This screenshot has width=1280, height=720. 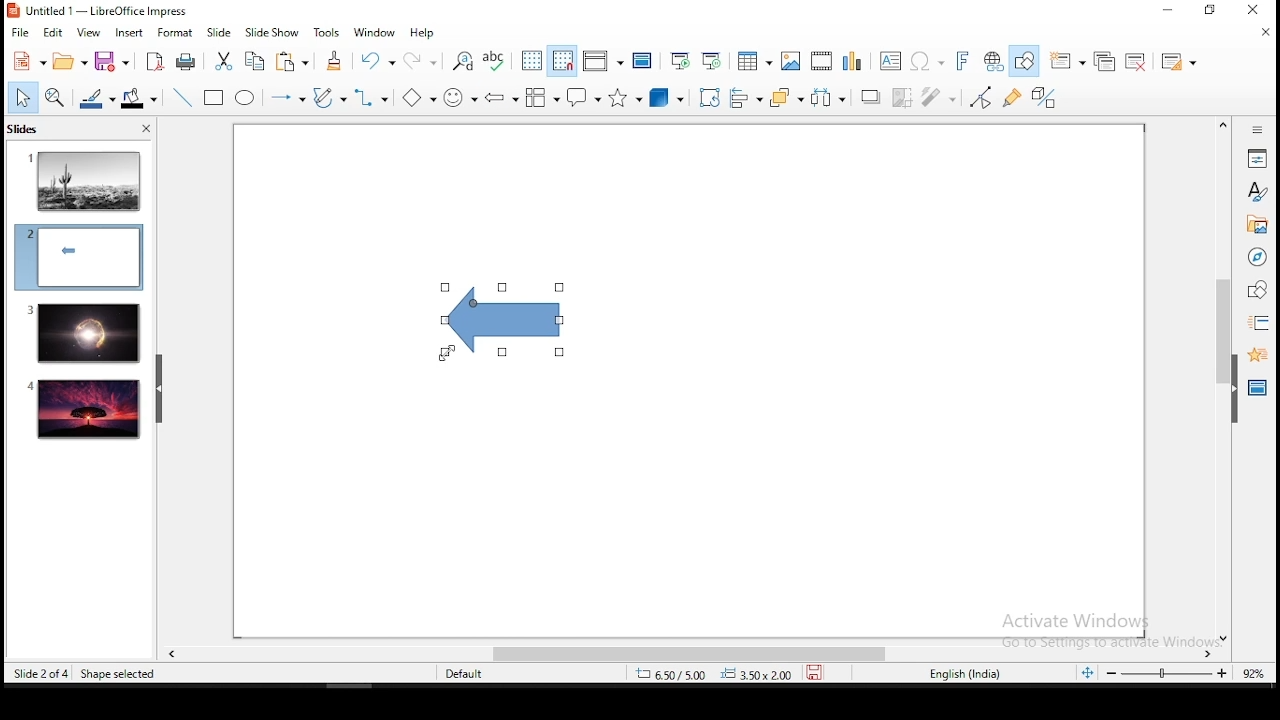 I want to click on redo, so click(x=423, y=60).